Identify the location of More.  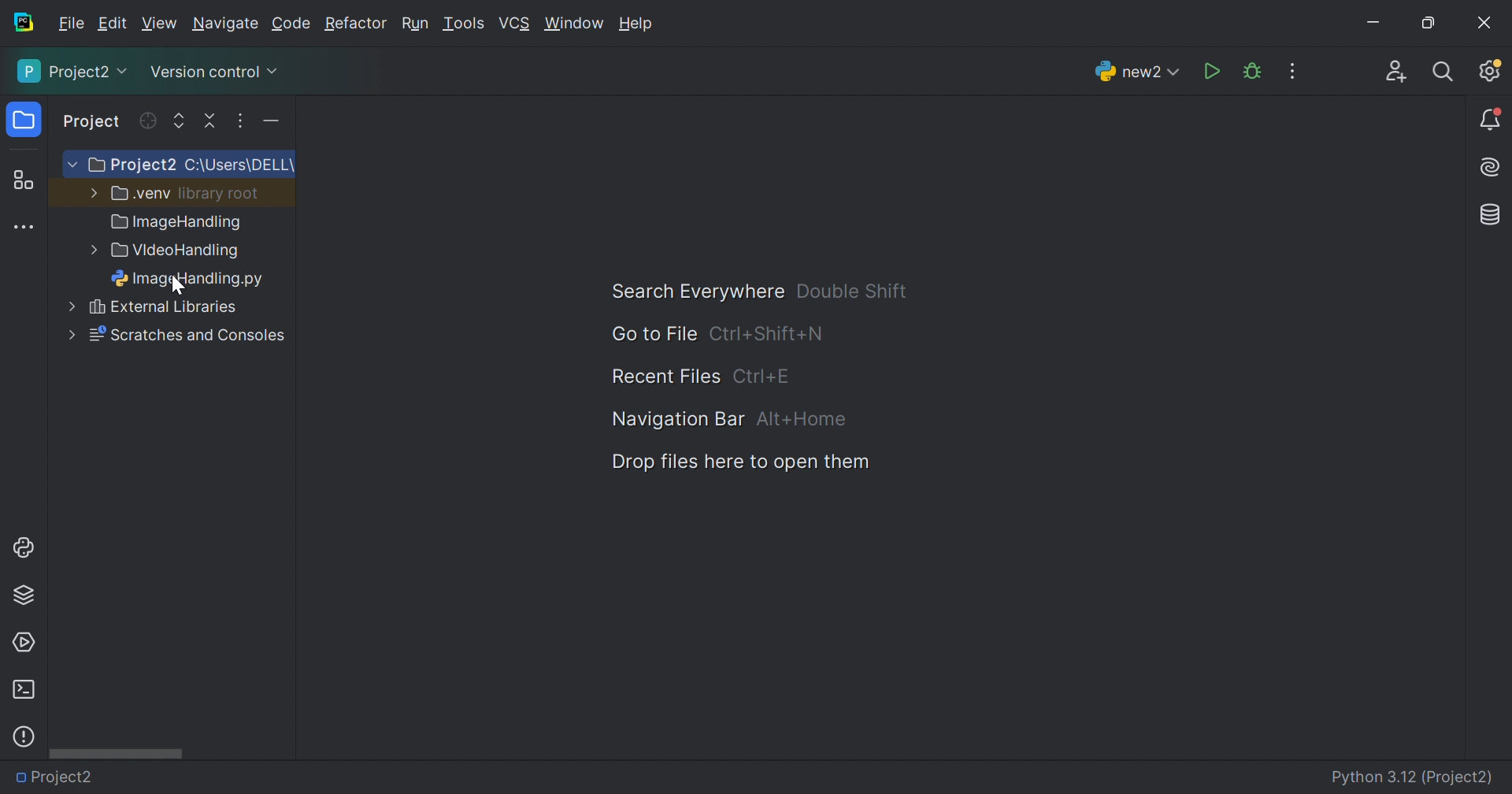
(70, 334).